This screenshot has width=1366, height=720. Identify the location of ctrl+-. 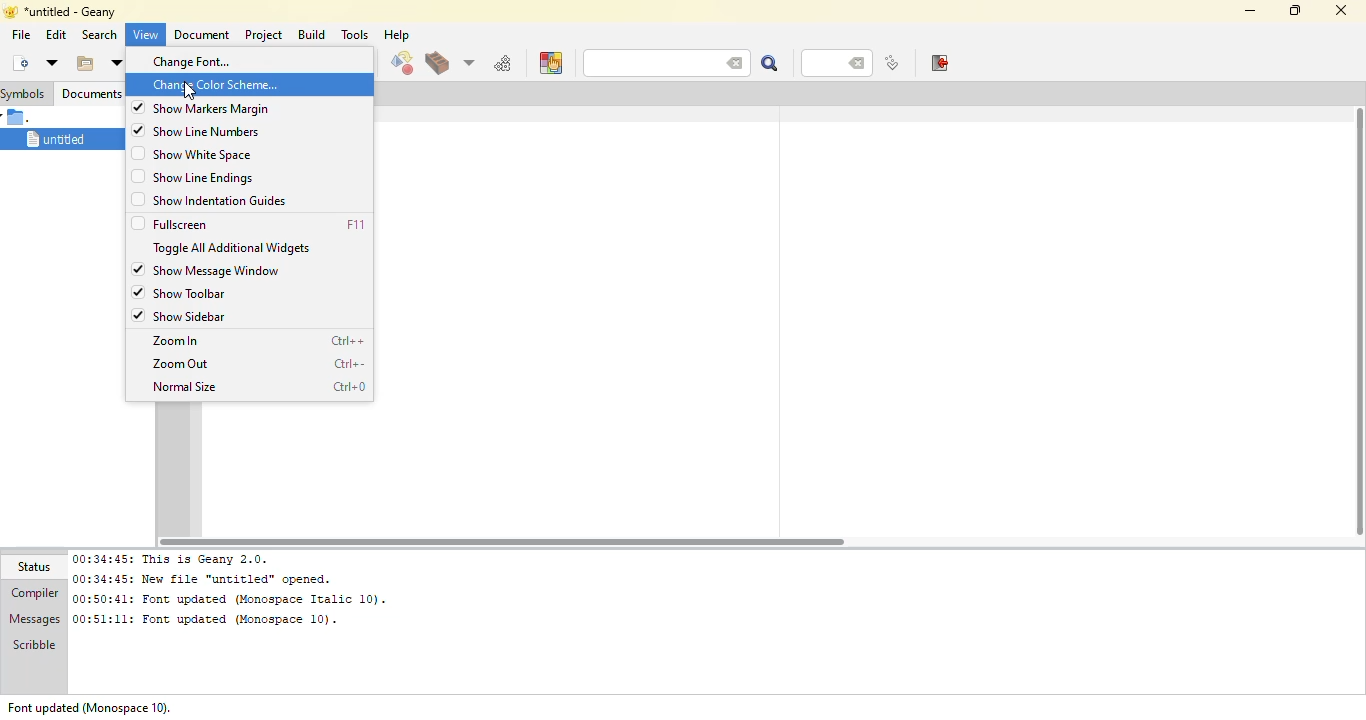
(351, 364).